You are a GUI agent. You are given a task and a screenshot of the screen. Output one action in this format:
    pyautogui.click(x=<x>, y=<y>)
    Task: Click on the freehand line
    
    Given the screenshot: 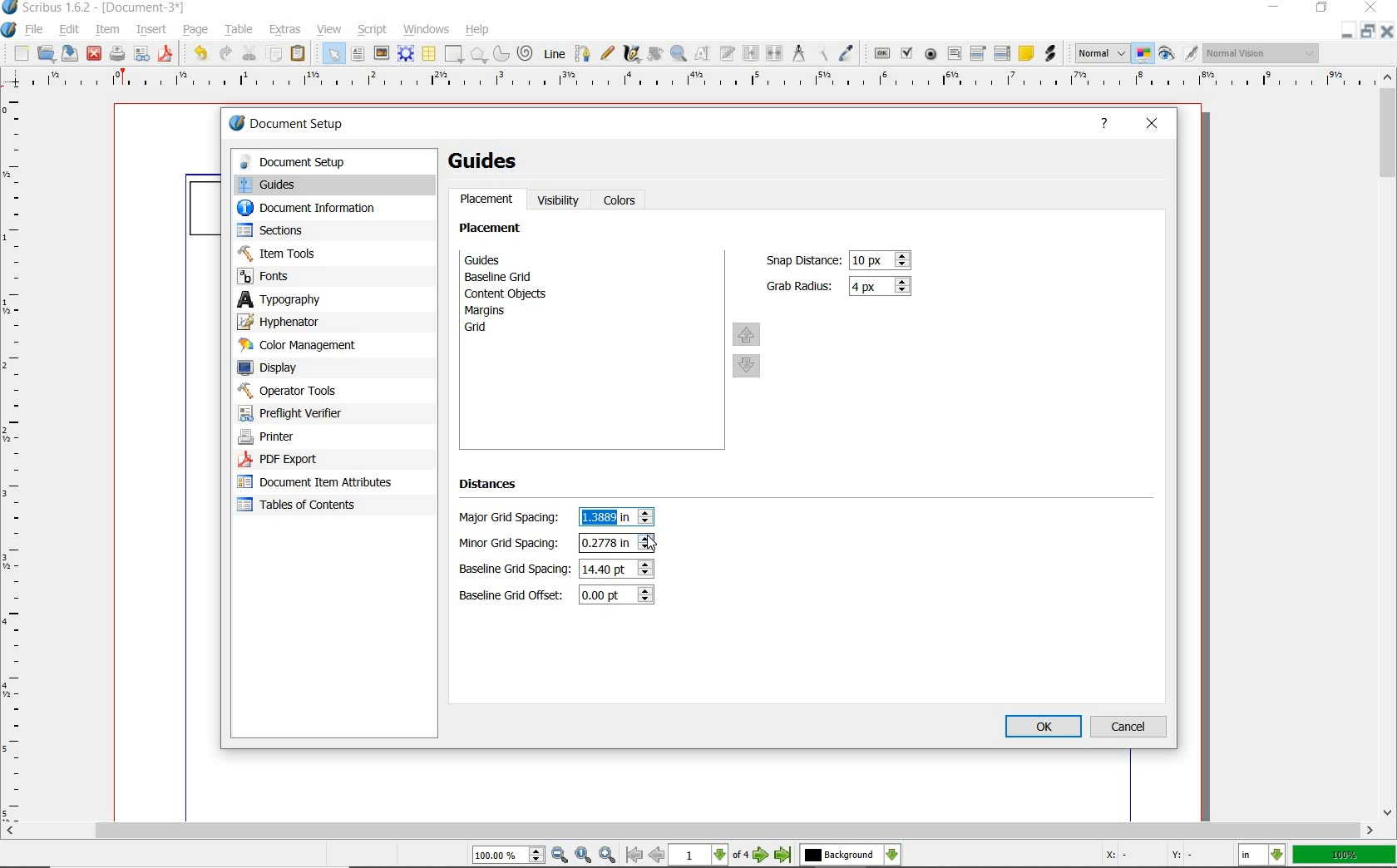 What is the action you would take?
    pyautogui.click(x=608, y=54)
    